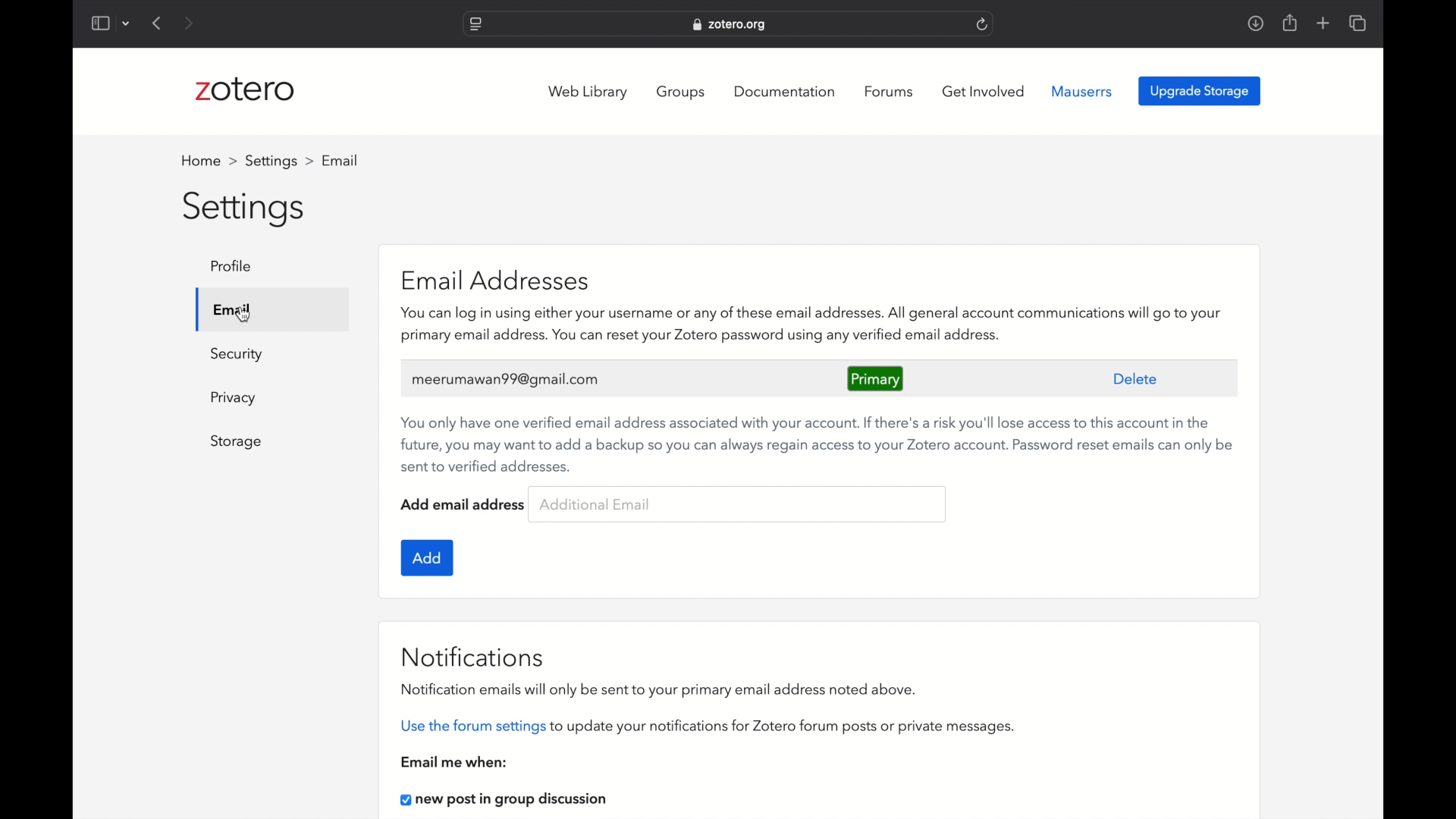 This screenshot has height=819, width=1456. Describe the element at coordinates (1082, 91) in the screenshot. I see `mauserrs` at that location.